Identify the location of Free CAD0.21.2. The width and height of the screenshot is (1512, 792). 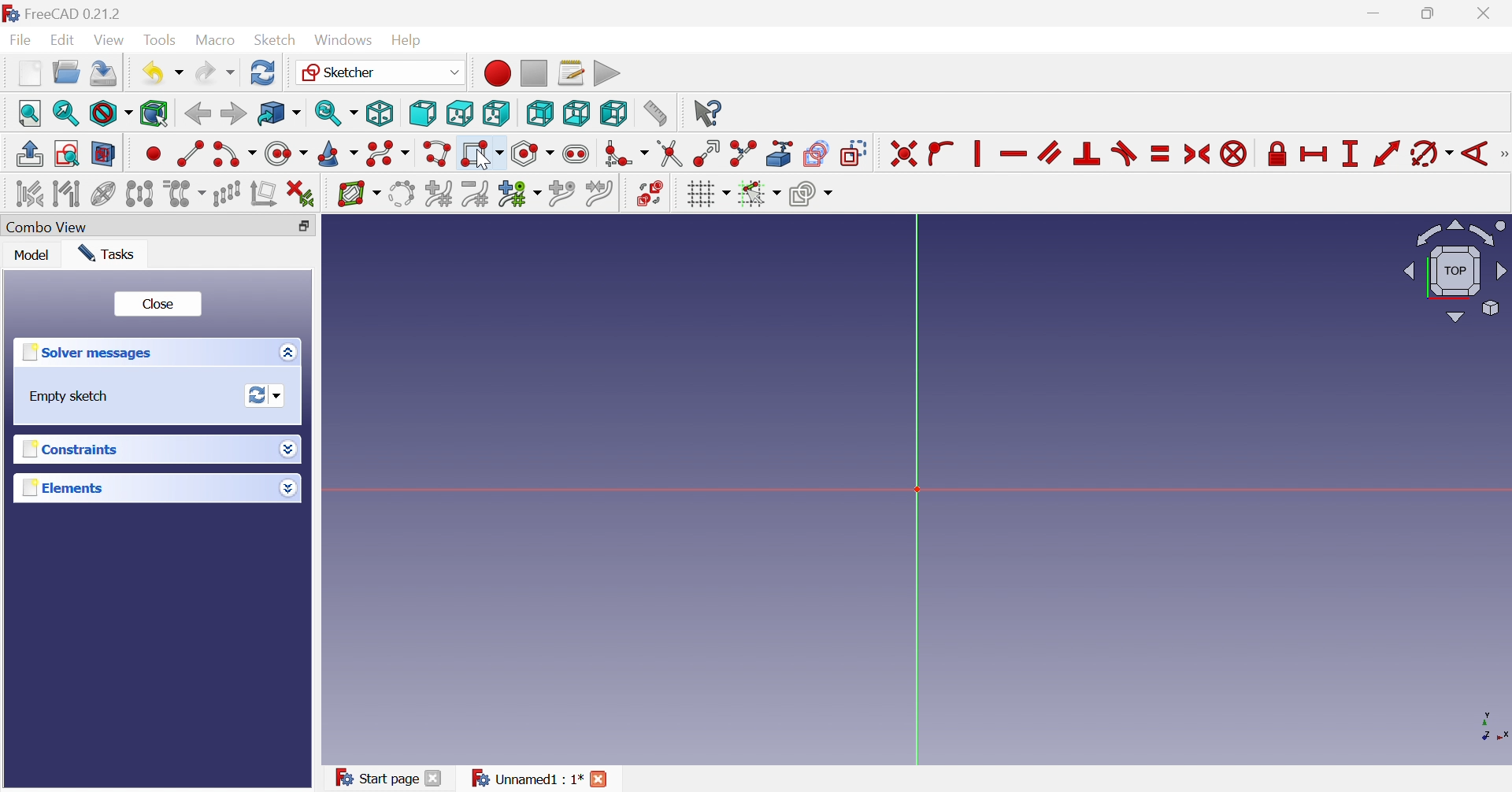
(74, 12).